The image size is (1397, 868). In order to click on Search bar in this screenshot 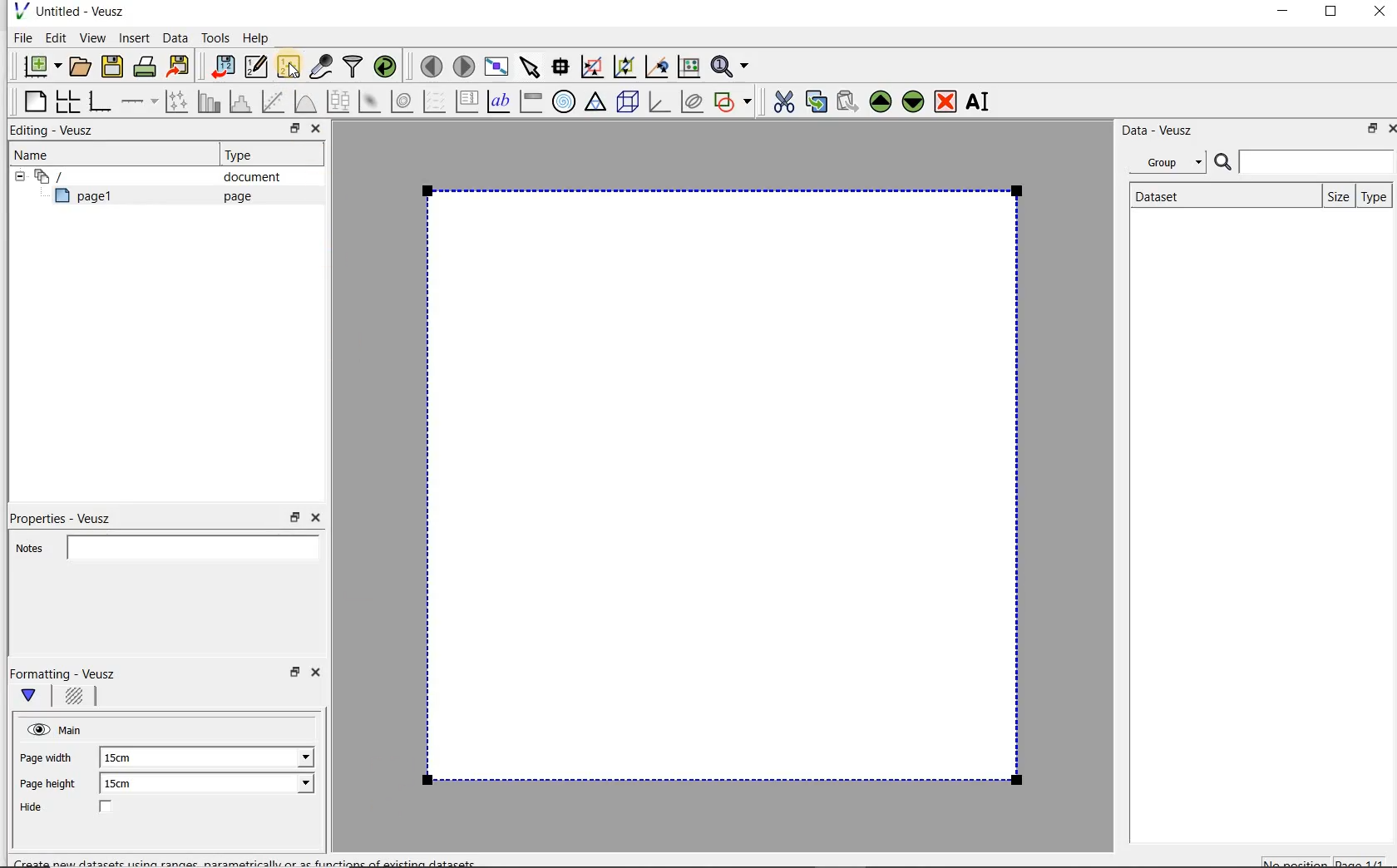, I will do `click(1305, 160)`.